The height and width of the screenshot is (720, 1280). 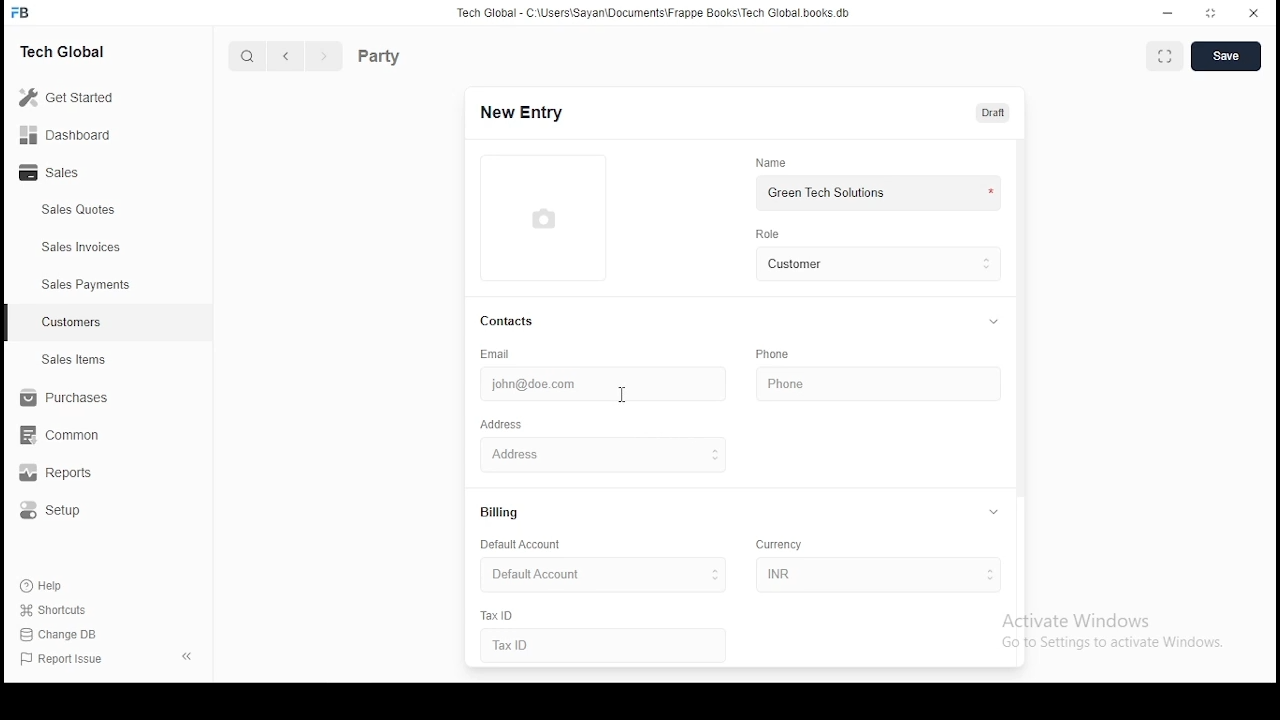 What do you see at coordinates (874, 263) in the screenshot?
I see `customer` at bounding box center [874, 263].